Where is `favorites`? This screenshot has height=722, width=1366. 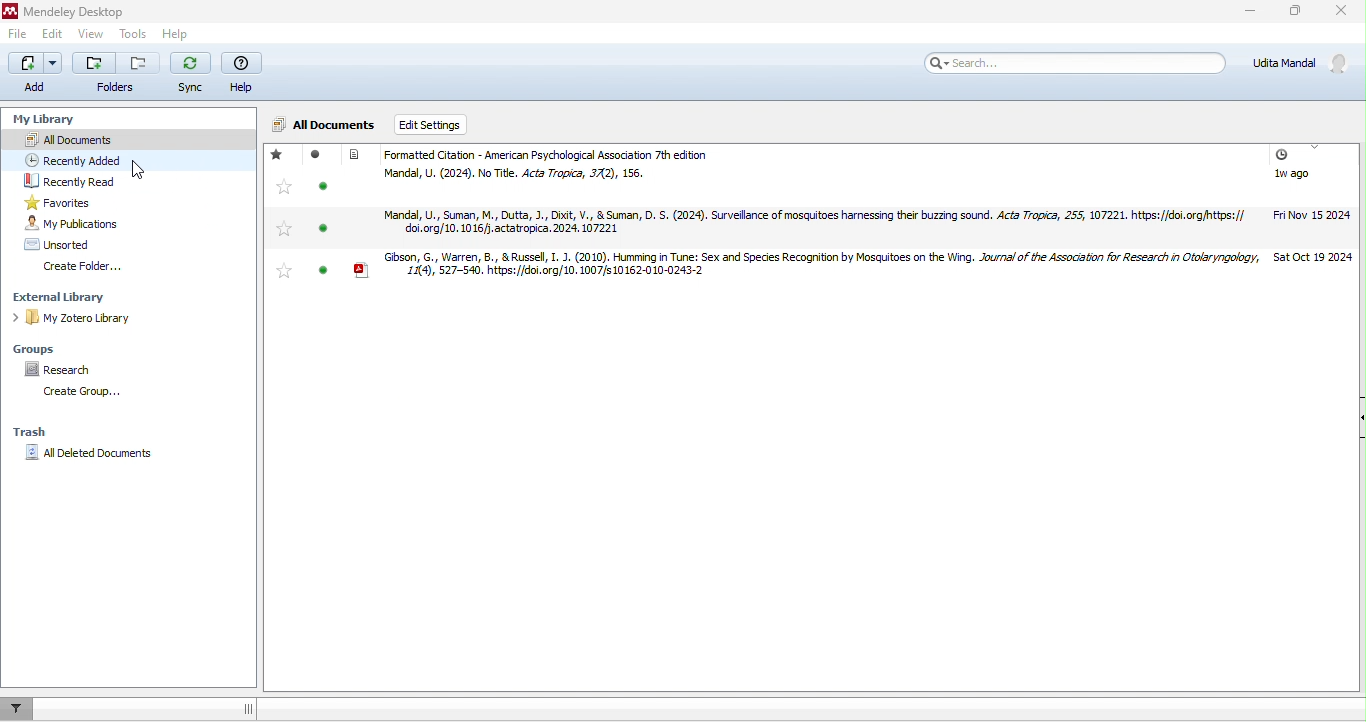 favorites is located at coordinates (67, 202).